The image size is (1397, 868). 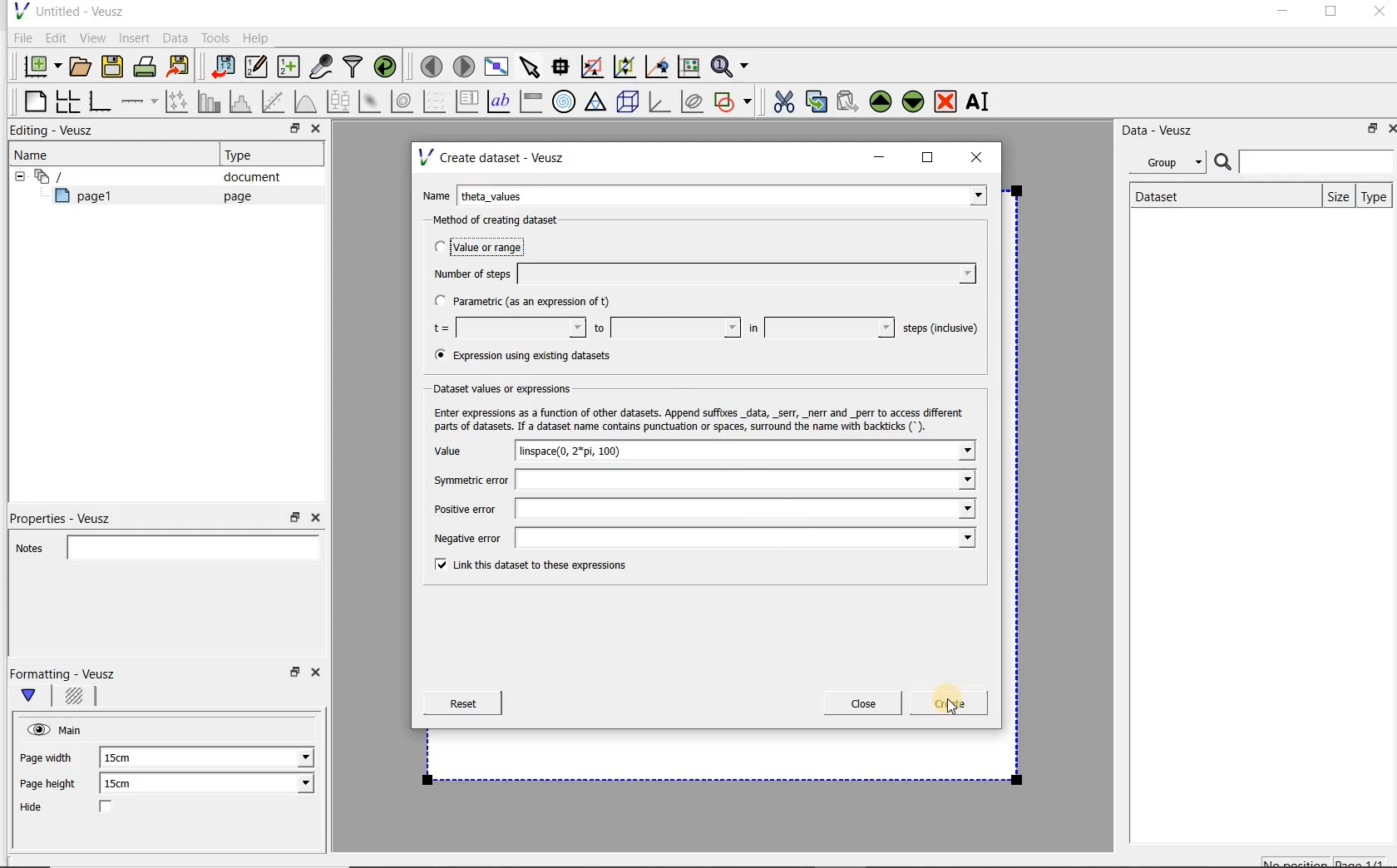 What do you see at coordinates (55, 37) in the screenshot?
I see `Edit` at bounding box center [55, 37].